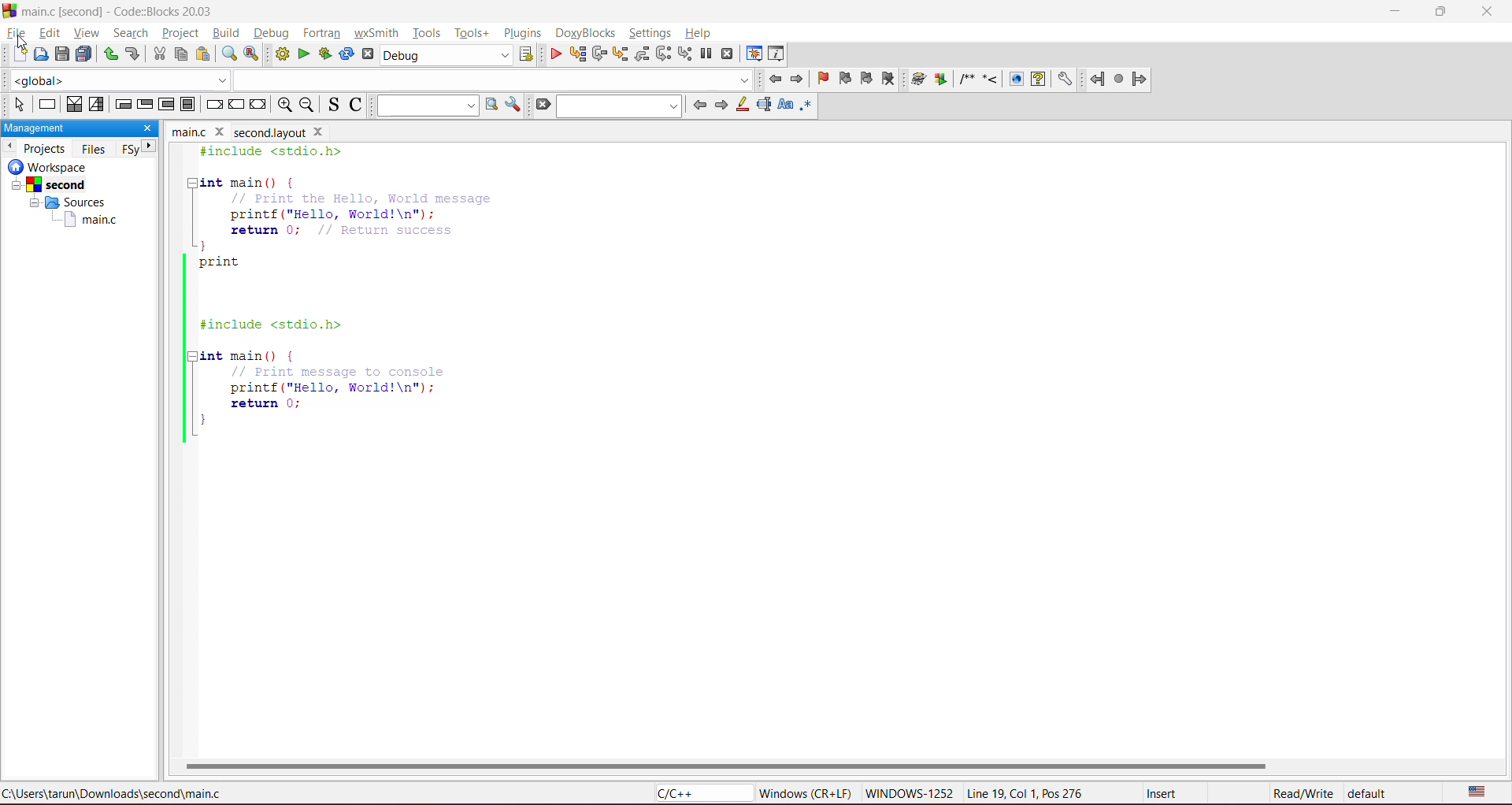 Image resolution: width=1512 pixels, height=805 pixels. I want to click on break debugger, so click(706, 54).